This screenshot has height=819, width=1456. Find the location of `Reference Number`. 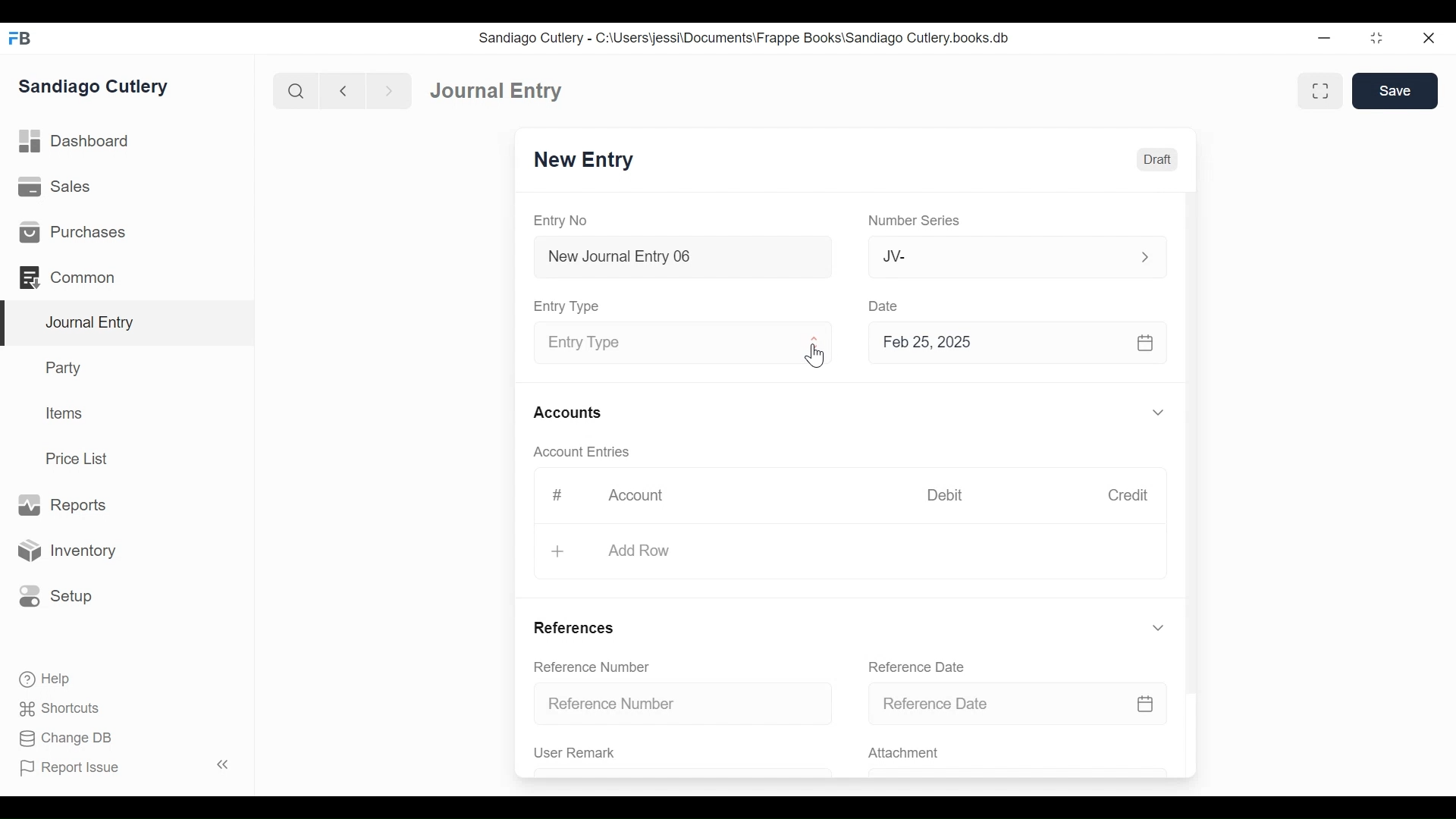

Reference Number is located at coordinates (591, 666).